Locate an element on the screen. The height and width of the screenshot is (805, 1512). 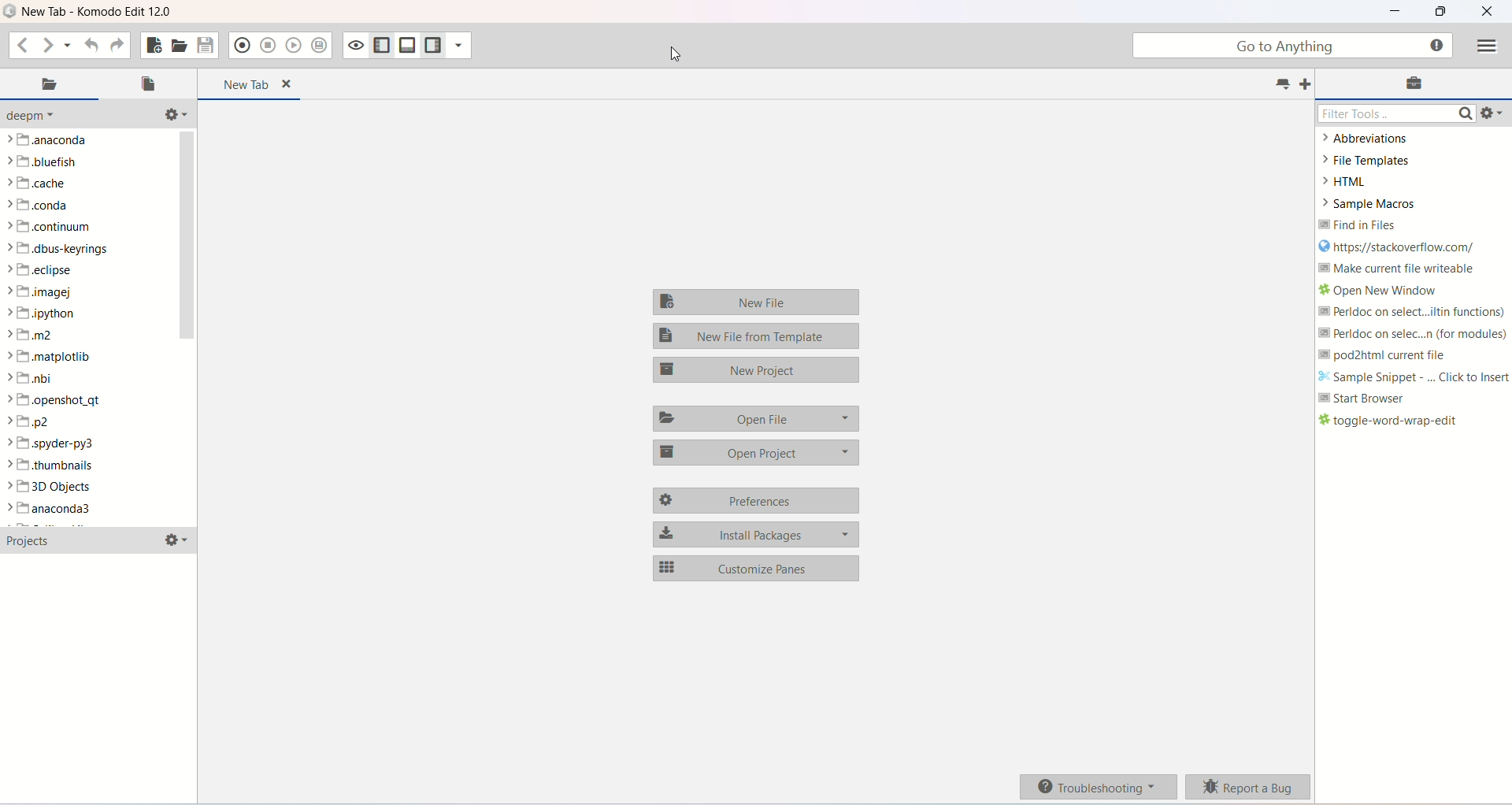
menu is located at coordinates (1484, 48).